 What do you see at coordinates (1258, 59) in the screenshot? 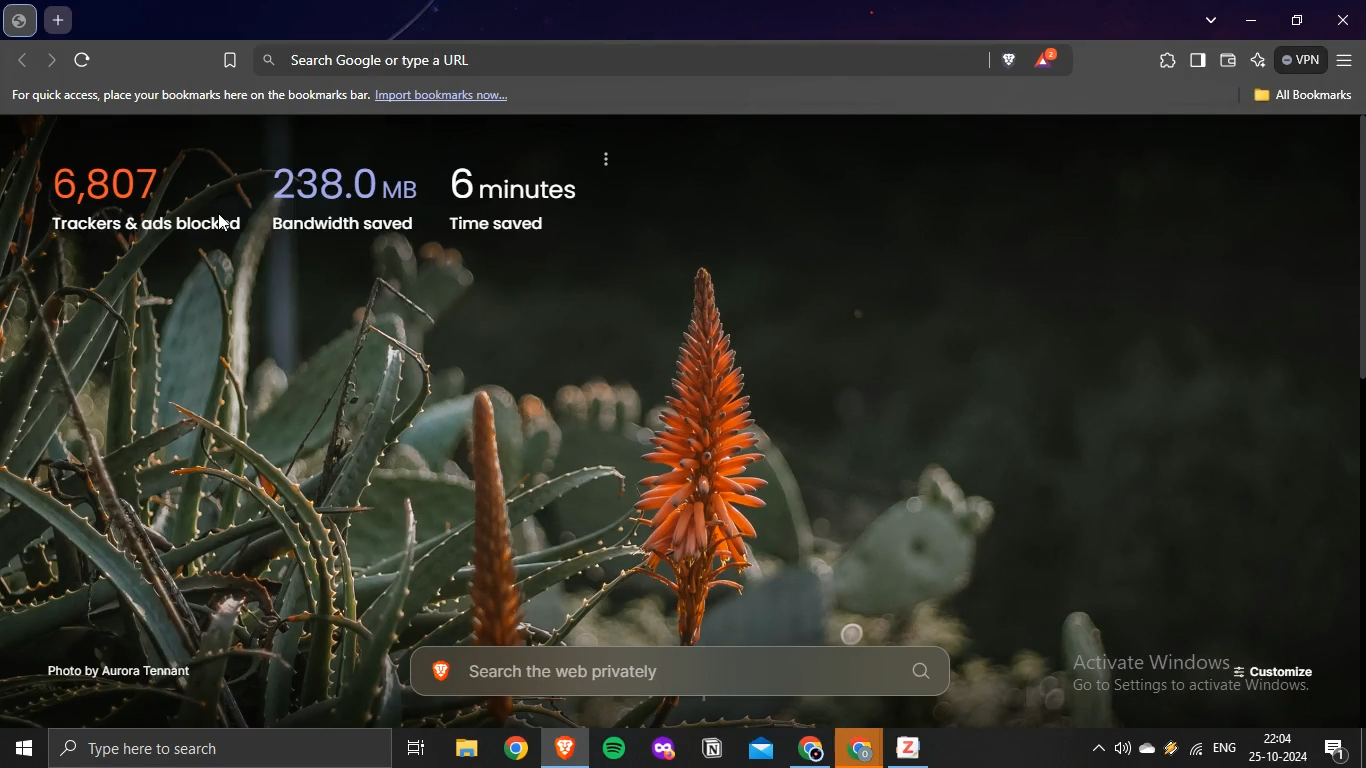
I see `leo AI` at bounding box center [1258, 59].